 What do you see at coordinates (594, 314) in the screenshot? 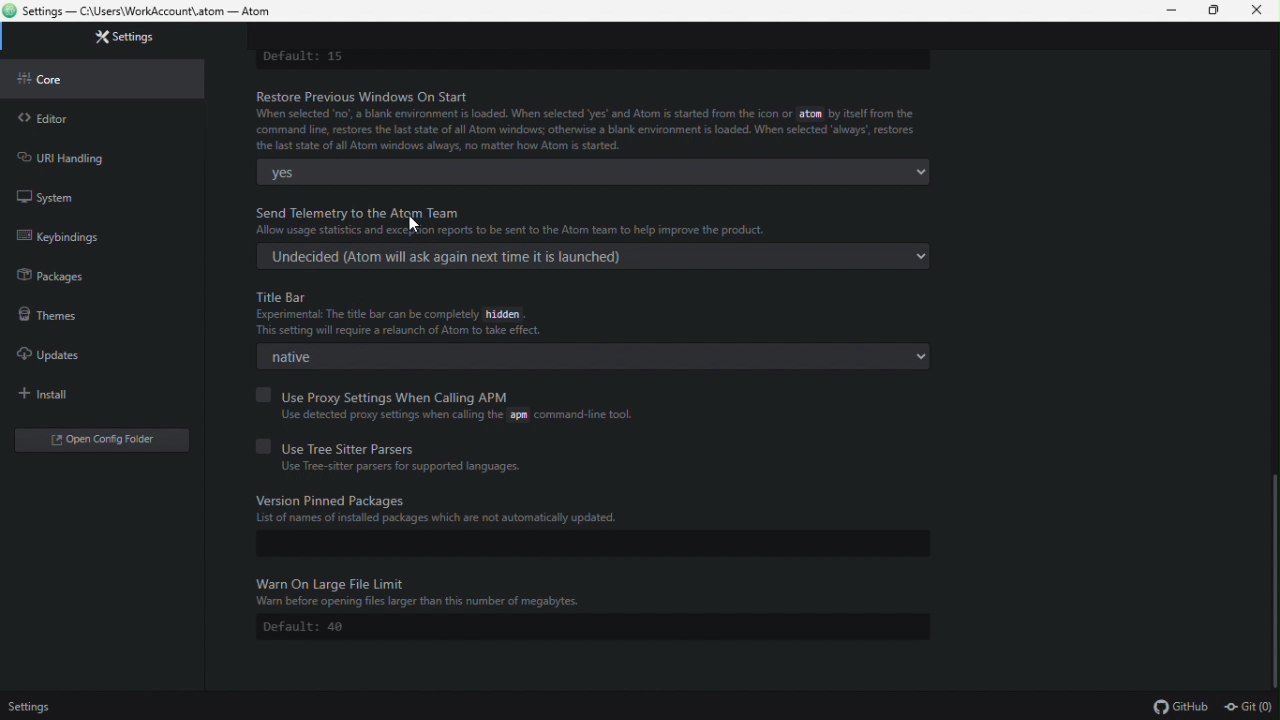
I see `Title Bar Experimental: The tital bar can be completely hidden. This setting will require a relaunch of Atom to take effect.` at bounding box center [594, 314].